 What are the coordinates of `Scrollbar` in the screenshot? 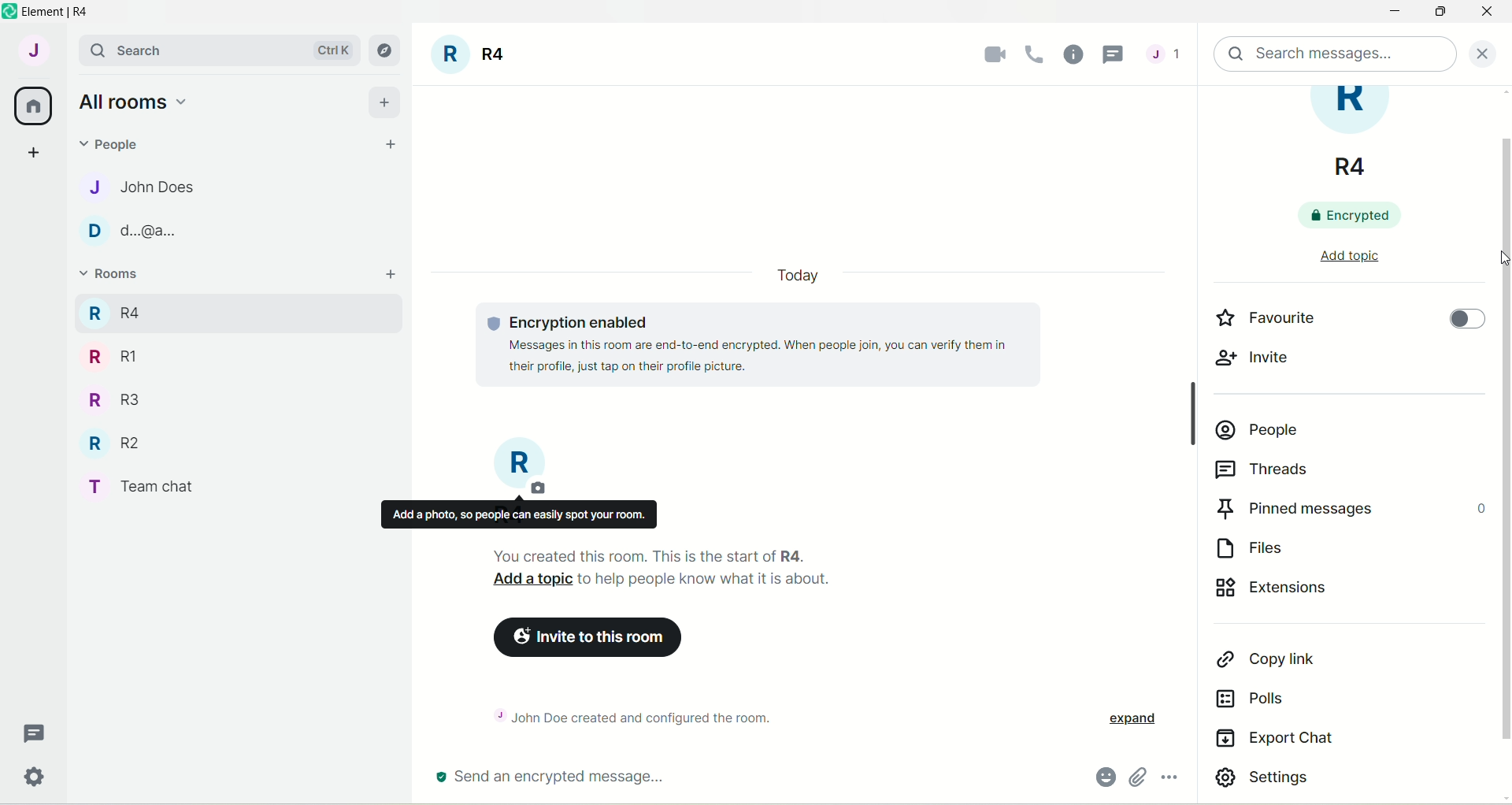 It's located at (1189, 410).